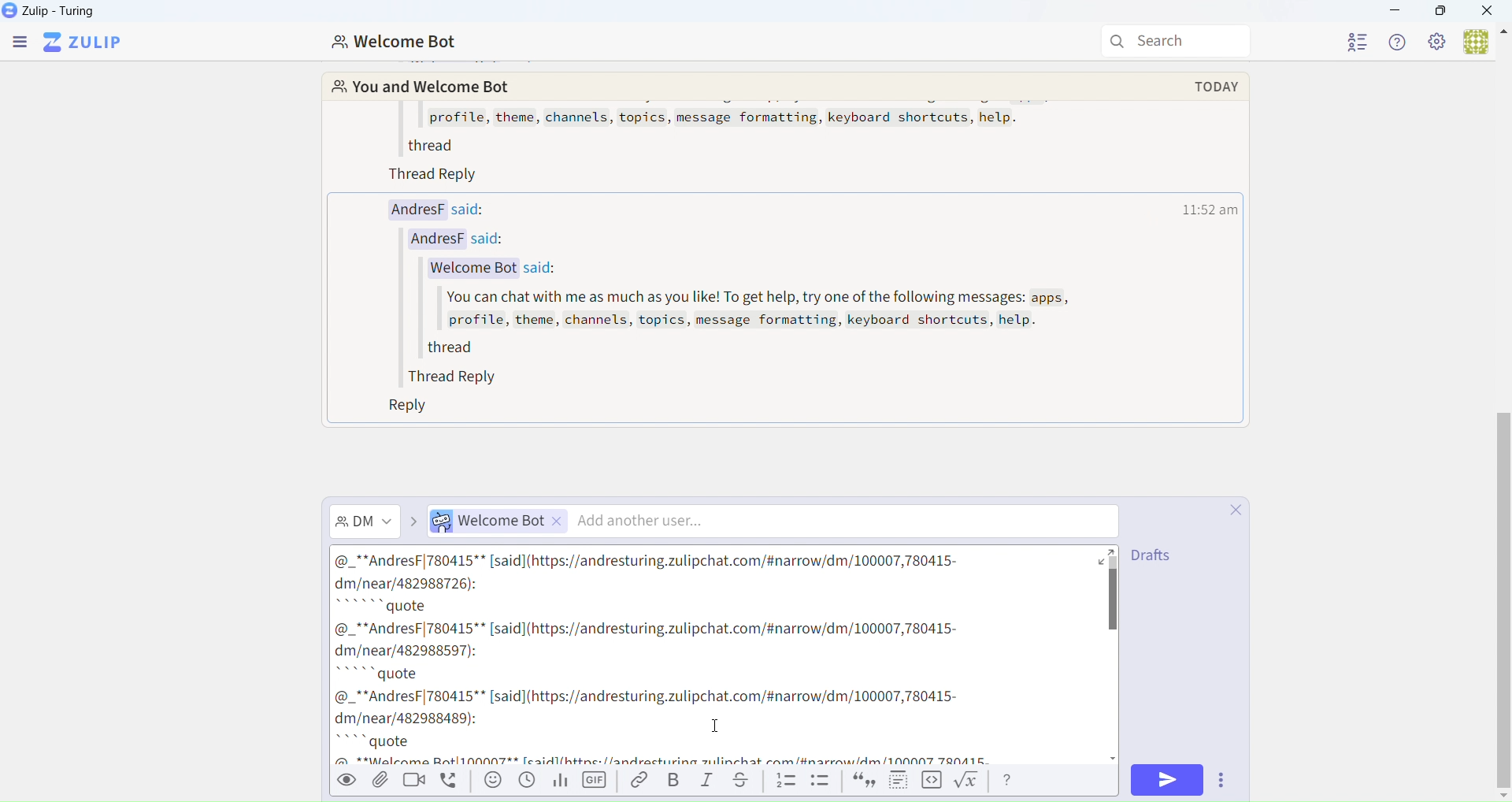 This screenshot has height=802, width=1512. I want to click on List, so click(785, 781).